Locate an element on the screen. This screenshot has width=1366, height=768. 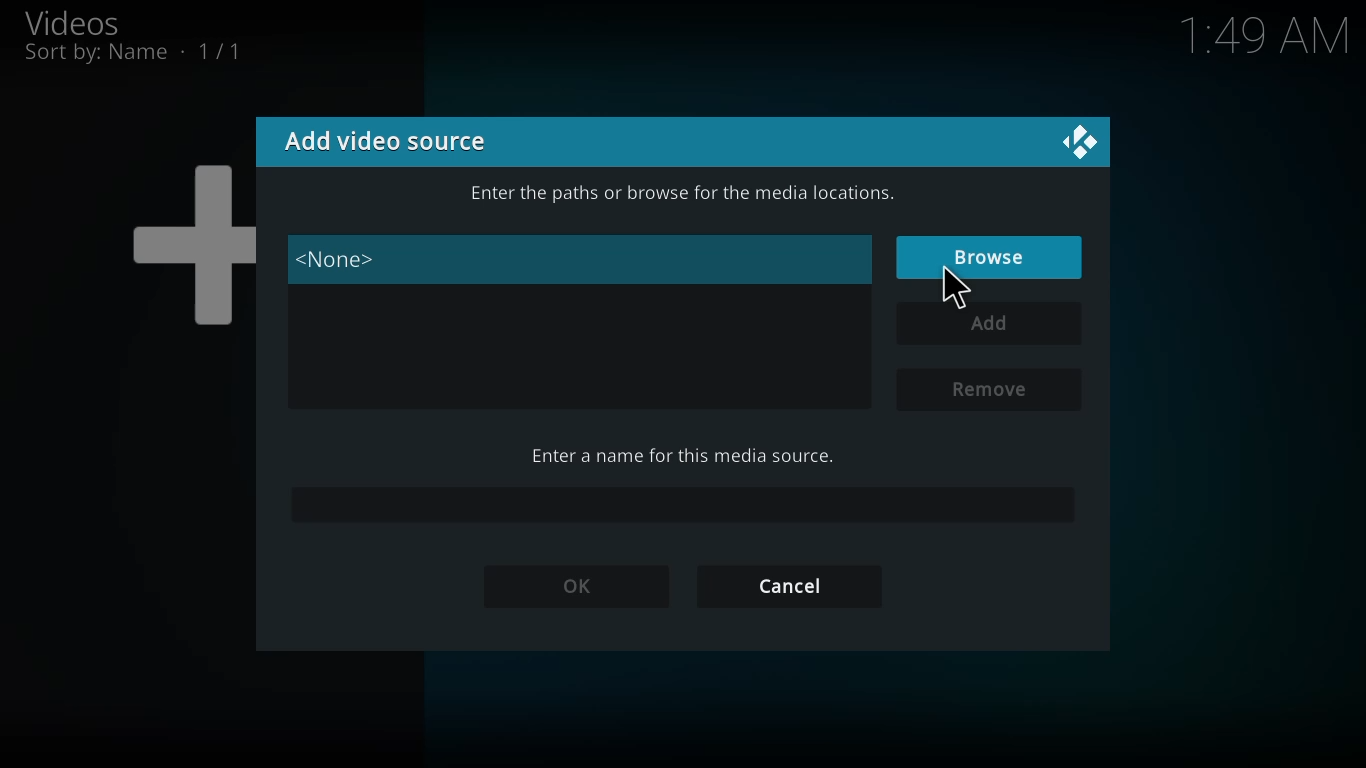
ok is located at coordinates (578, 587).